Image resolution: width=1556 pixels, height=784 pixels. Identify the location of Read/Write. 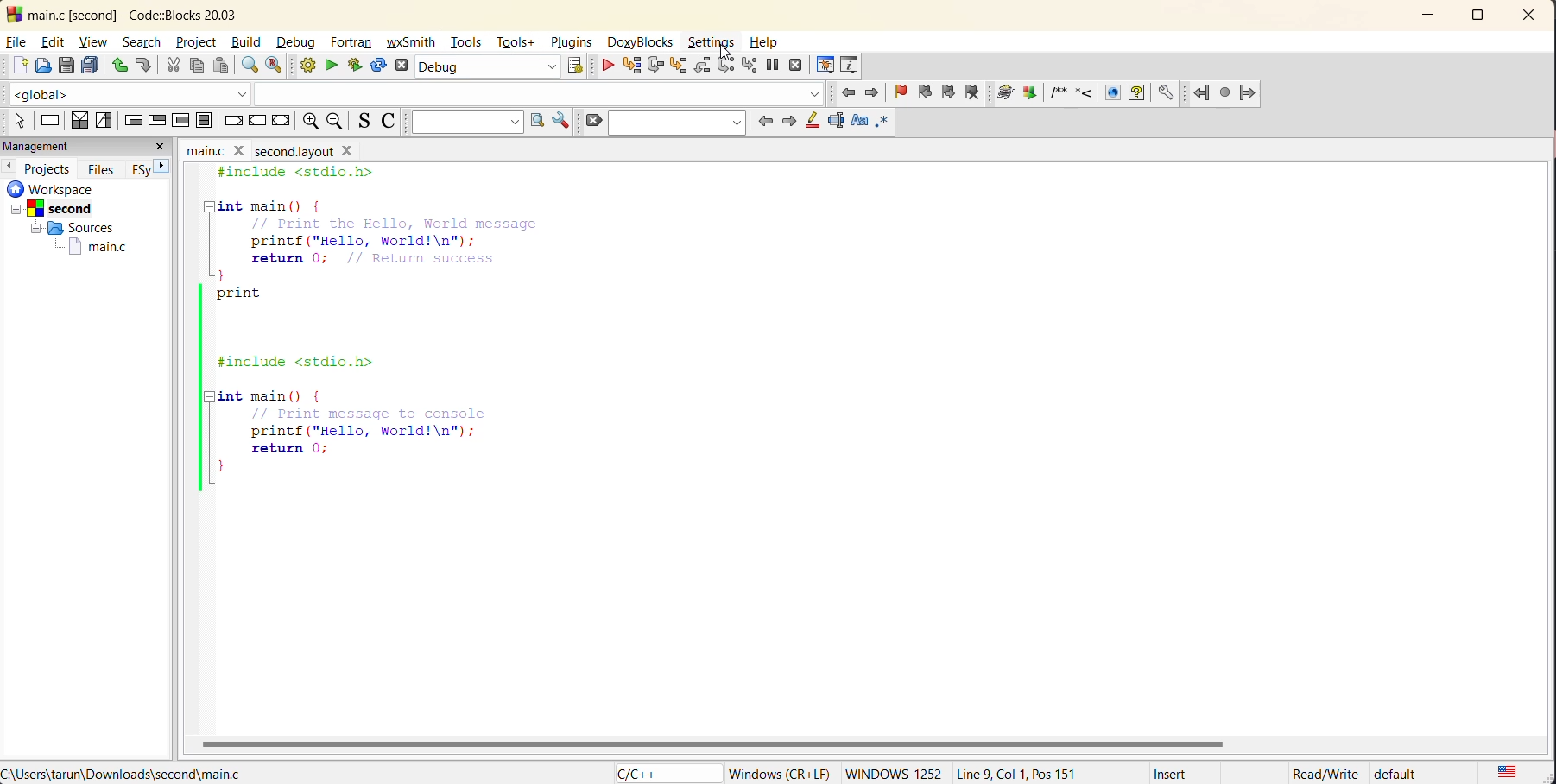
(1325, 773).